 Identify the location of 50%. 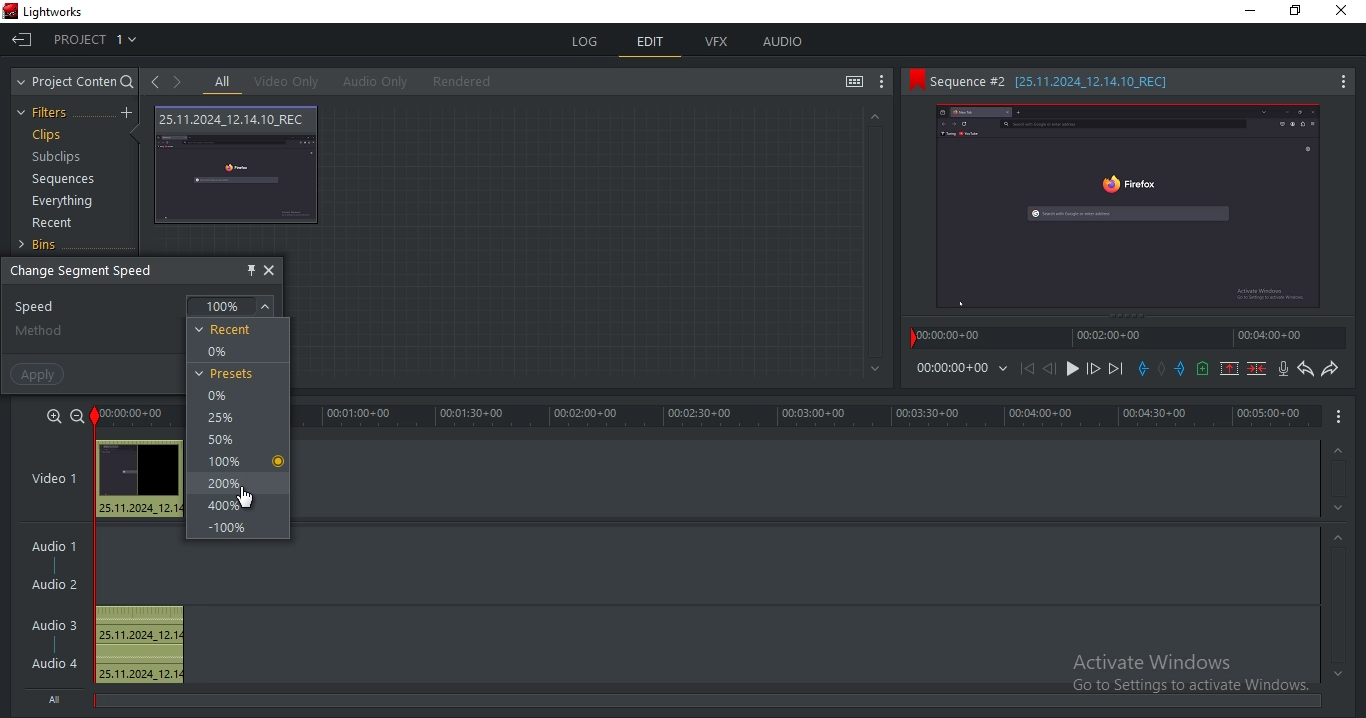
(223, 439).